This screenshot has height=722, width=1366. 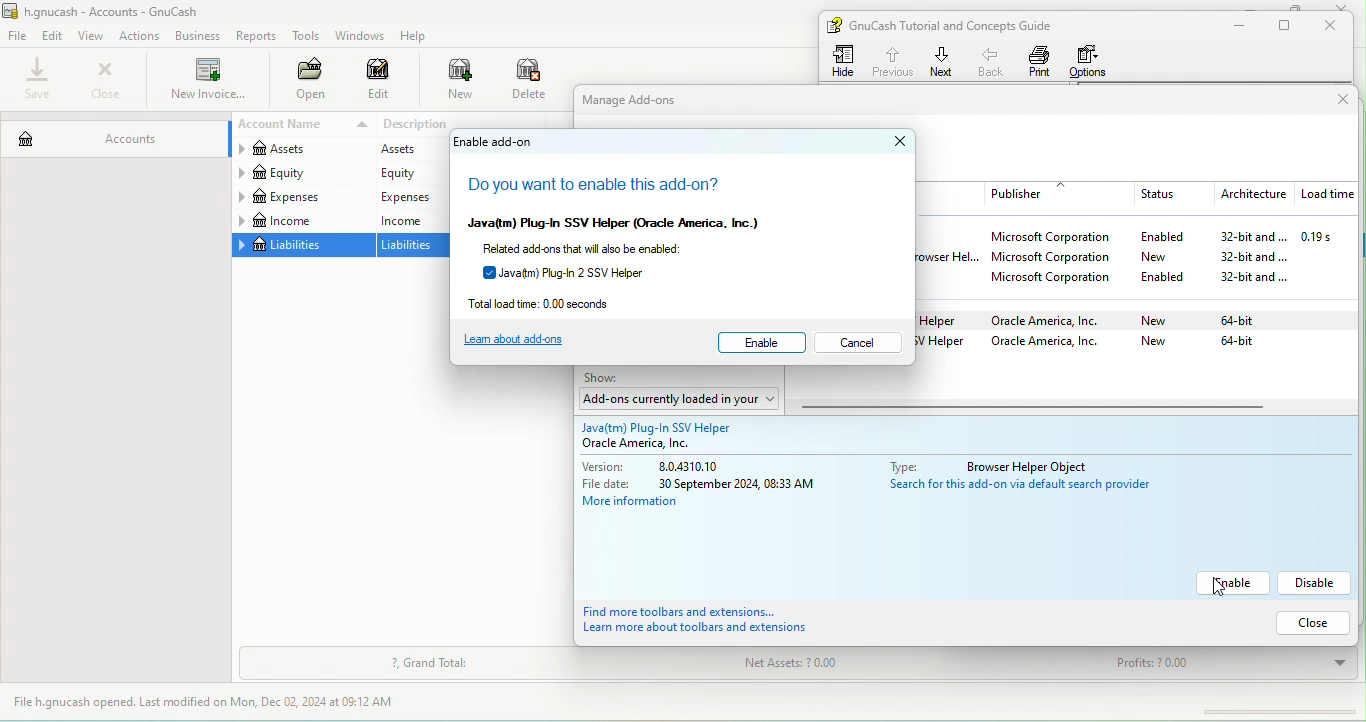 What do you see at coordinates (39, 80) in the screenshot?
I see `save` at bounding box center [39, 80].